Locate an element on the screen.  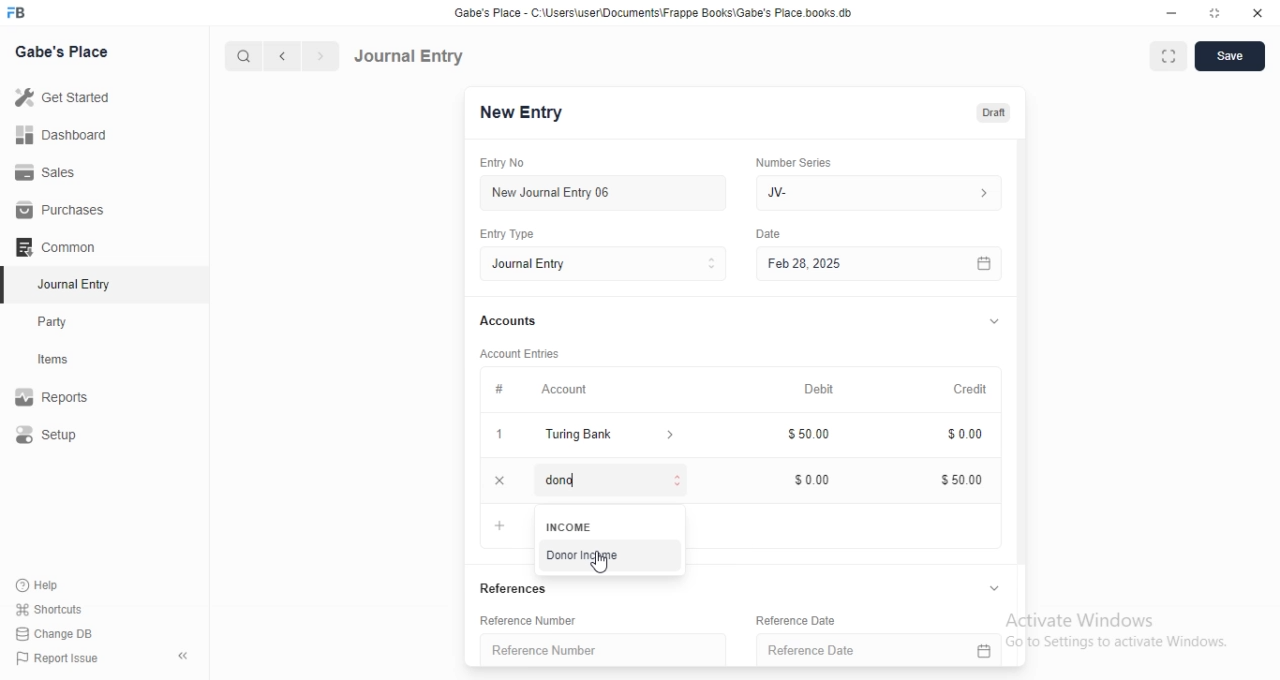
Get Started is located at coordinates (67, 97).